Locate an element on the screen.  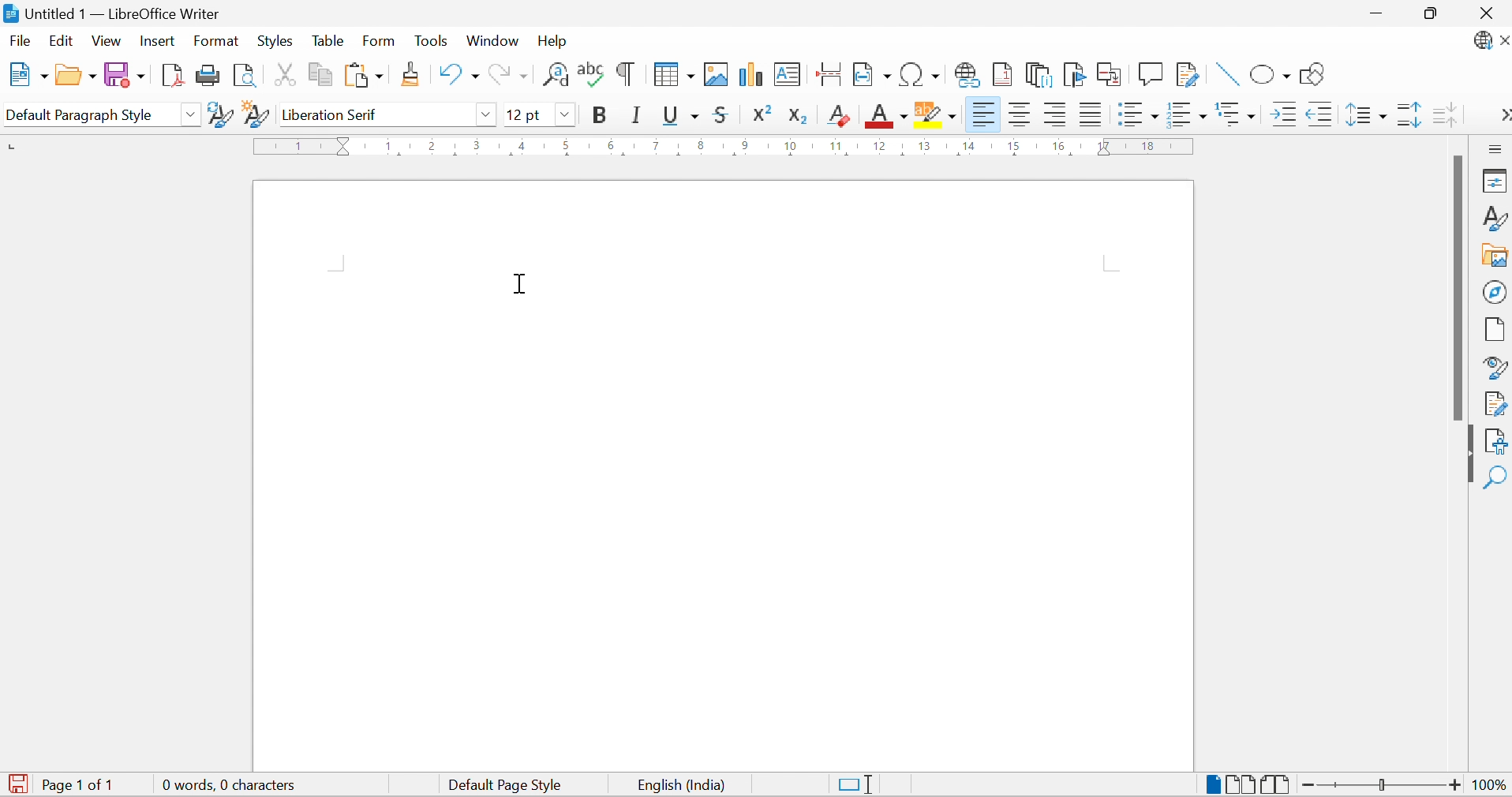
1 is located at coordinates (301, 146).